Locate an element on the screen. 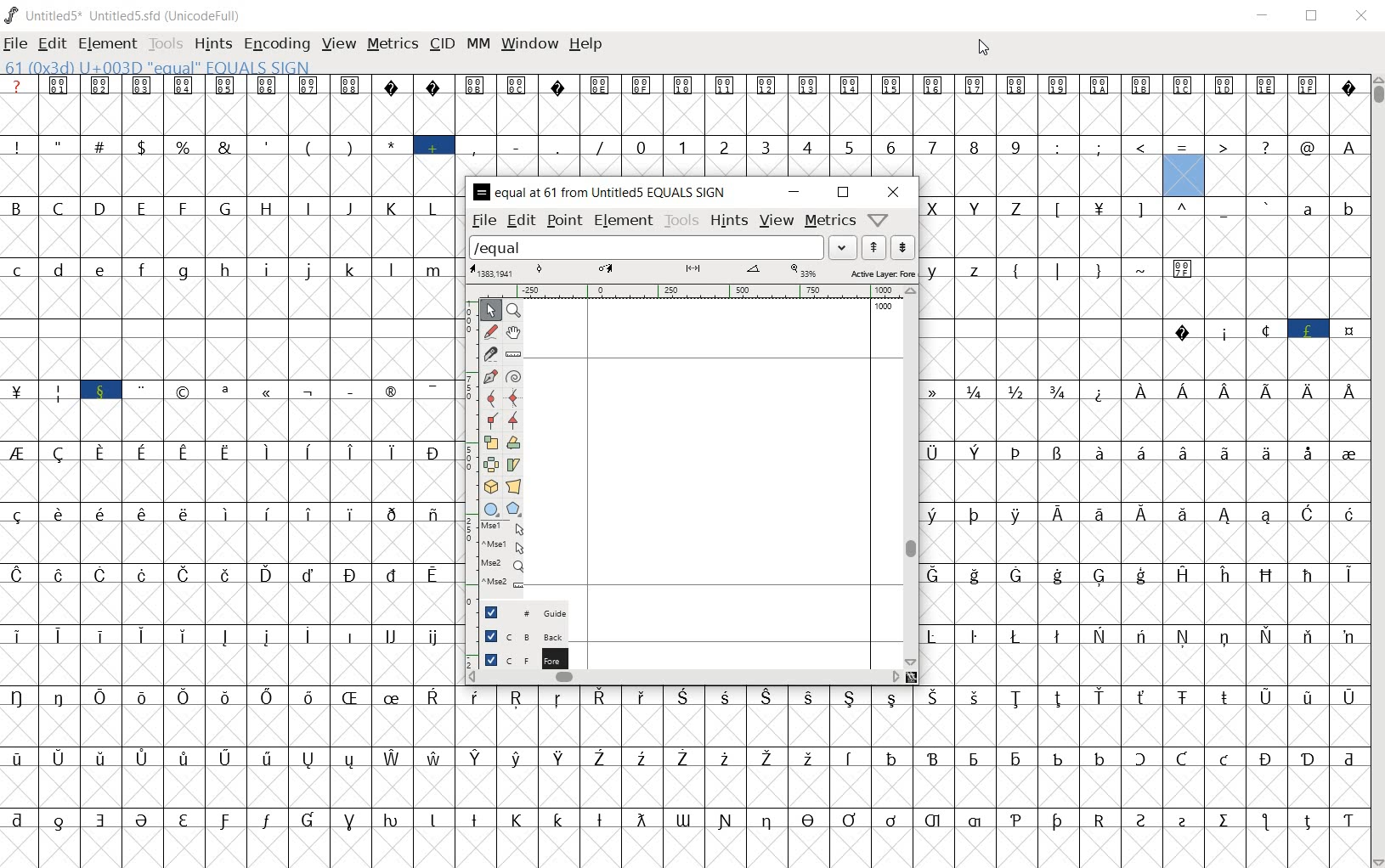 The height and width of the screenshot is (868, 1385). hints is located at coordinates (728, 222).